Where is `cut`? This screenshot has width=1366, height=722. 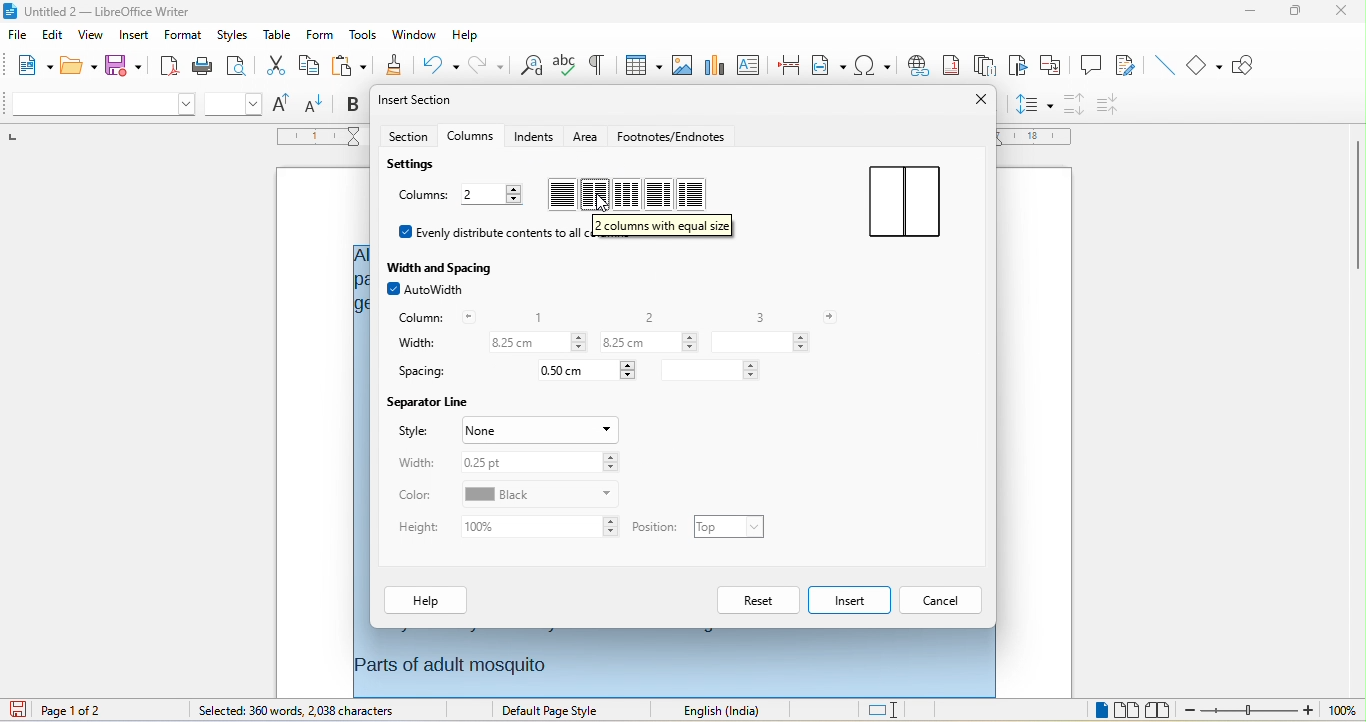
cut is located at coordinates (273, 66).